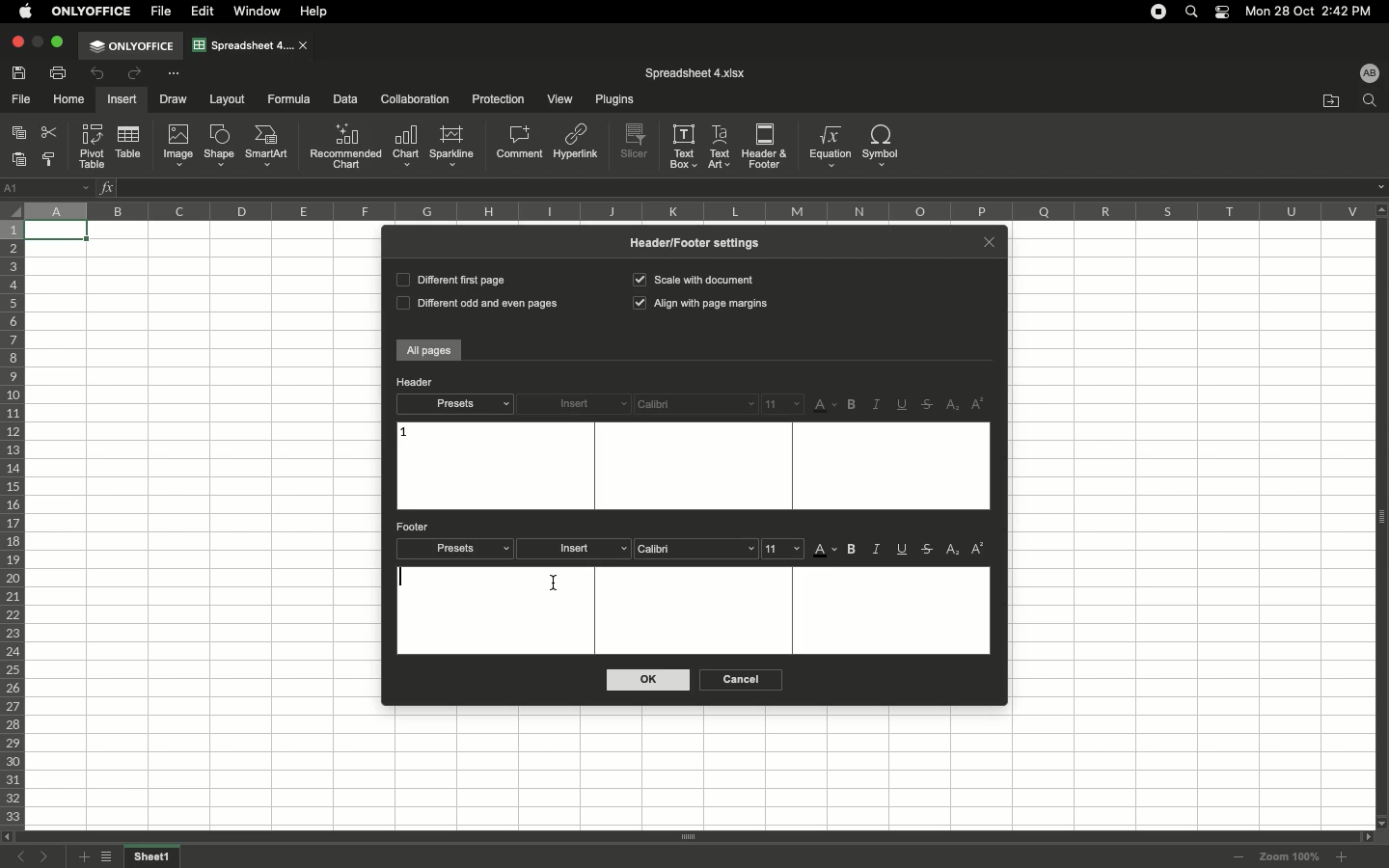 Image resolution: width=1389 pixels, height=868 pixels. What do you see at coordinates (738, 680) in the screenshot?
I see `Cancel` at bounding box center [738, 680].